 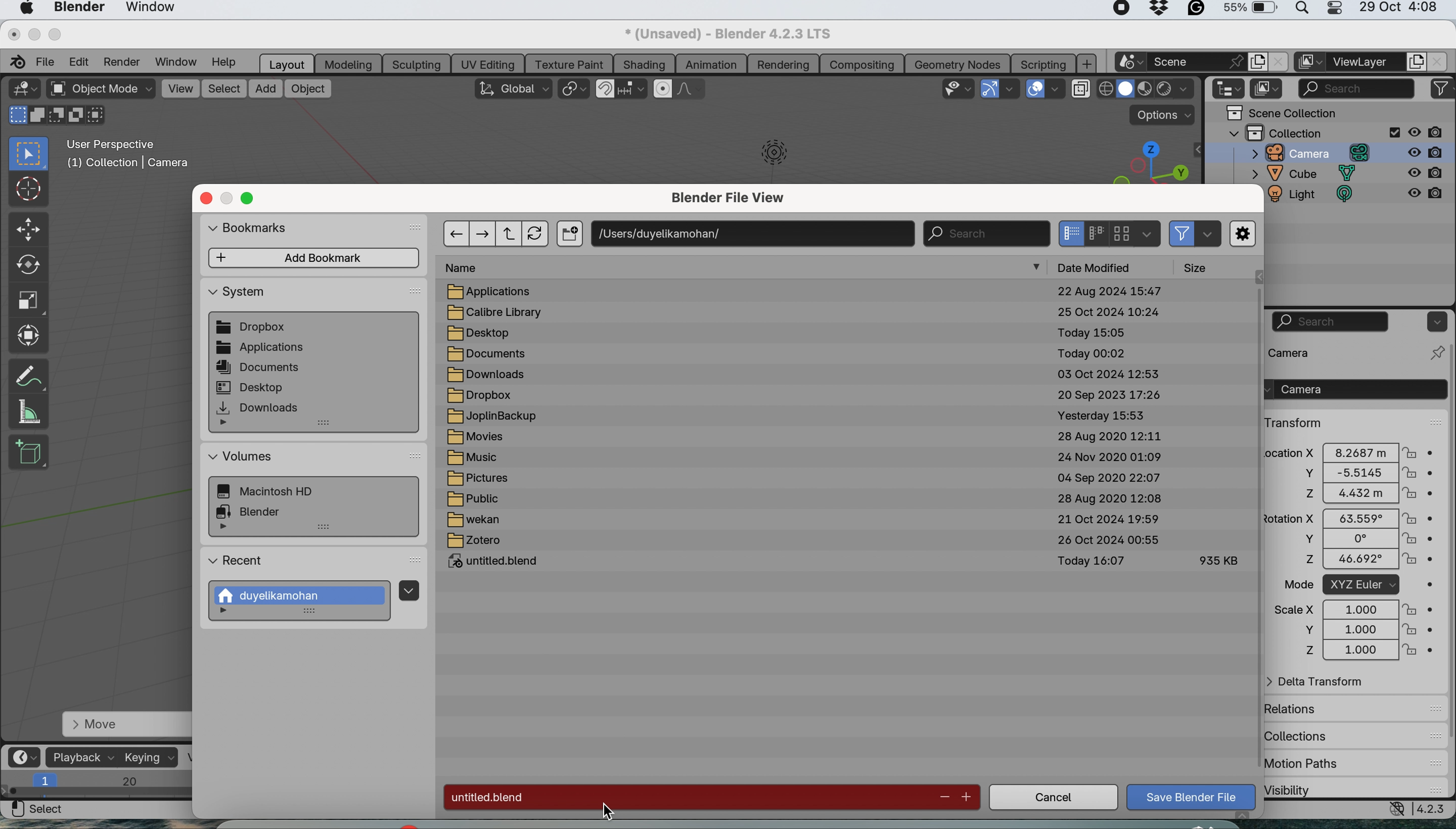 What do you see at coordinates (959, 63) in the screenshot?
I see `geometry nodes` at bounding box center [959, 63].